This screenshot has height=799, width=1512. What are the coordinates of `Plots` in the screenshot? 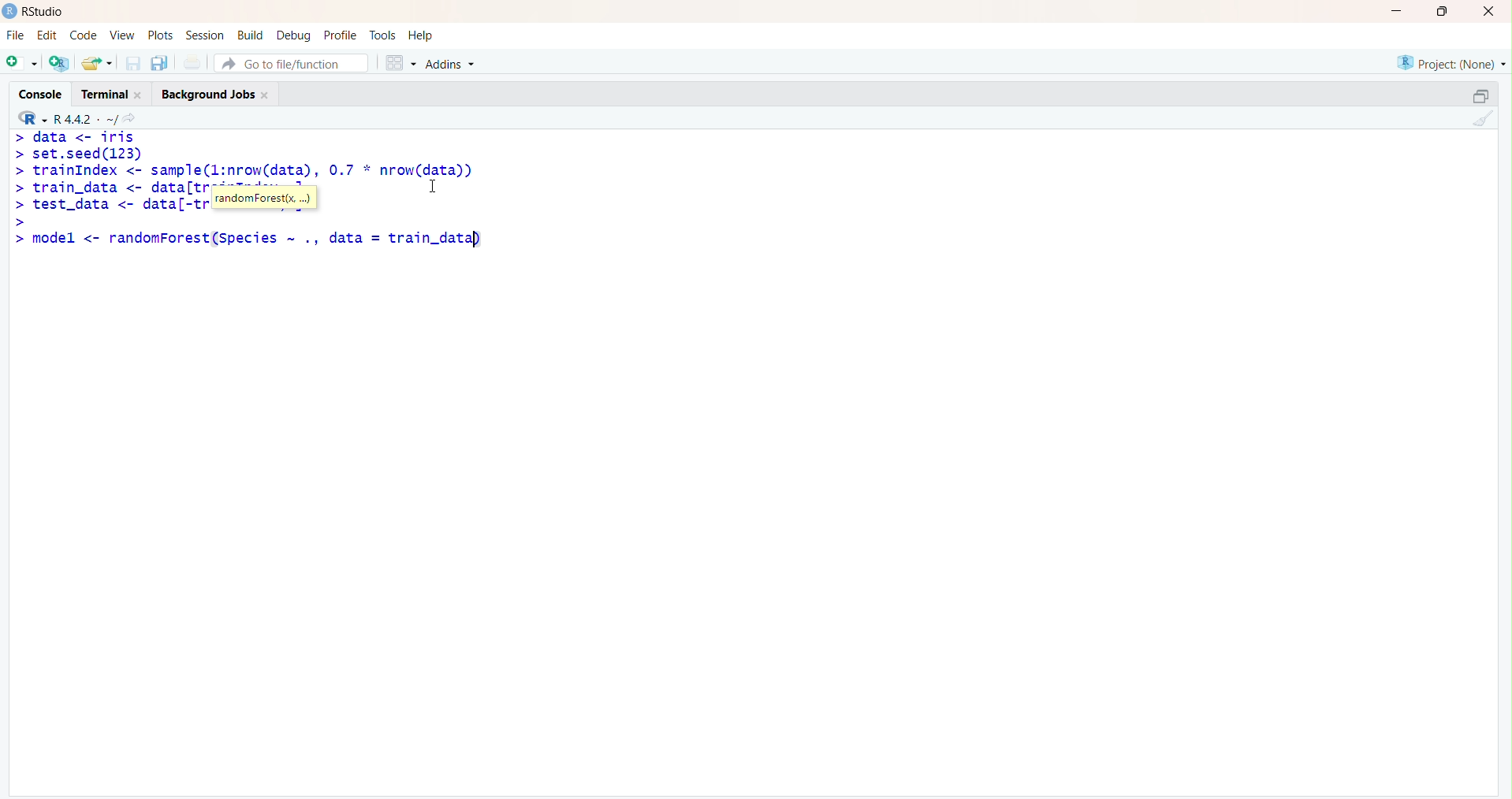 It's located at (160, 35).